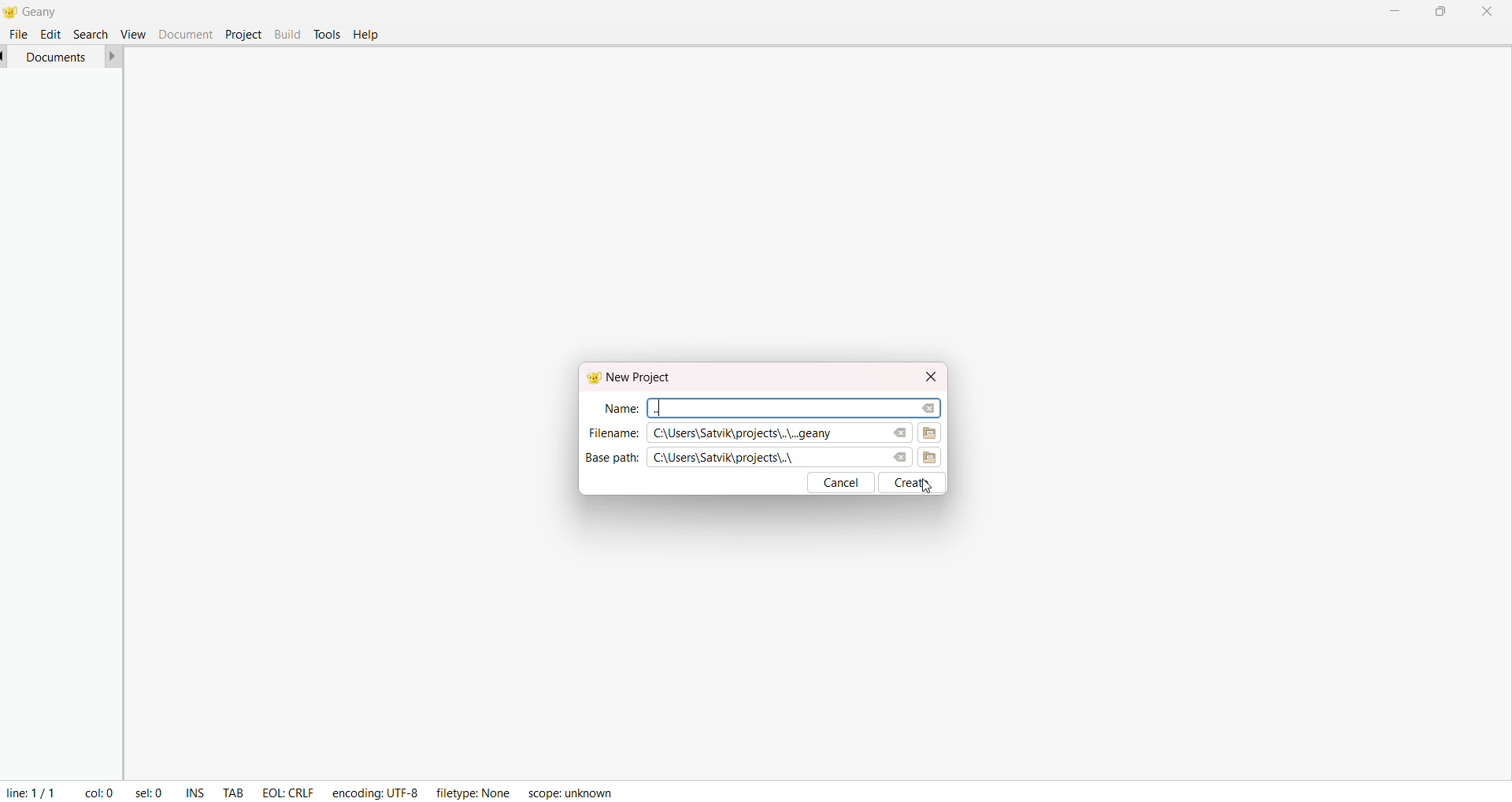 This screenshot has height=802, width=1512. I want to click on ins, so click(198, 793).